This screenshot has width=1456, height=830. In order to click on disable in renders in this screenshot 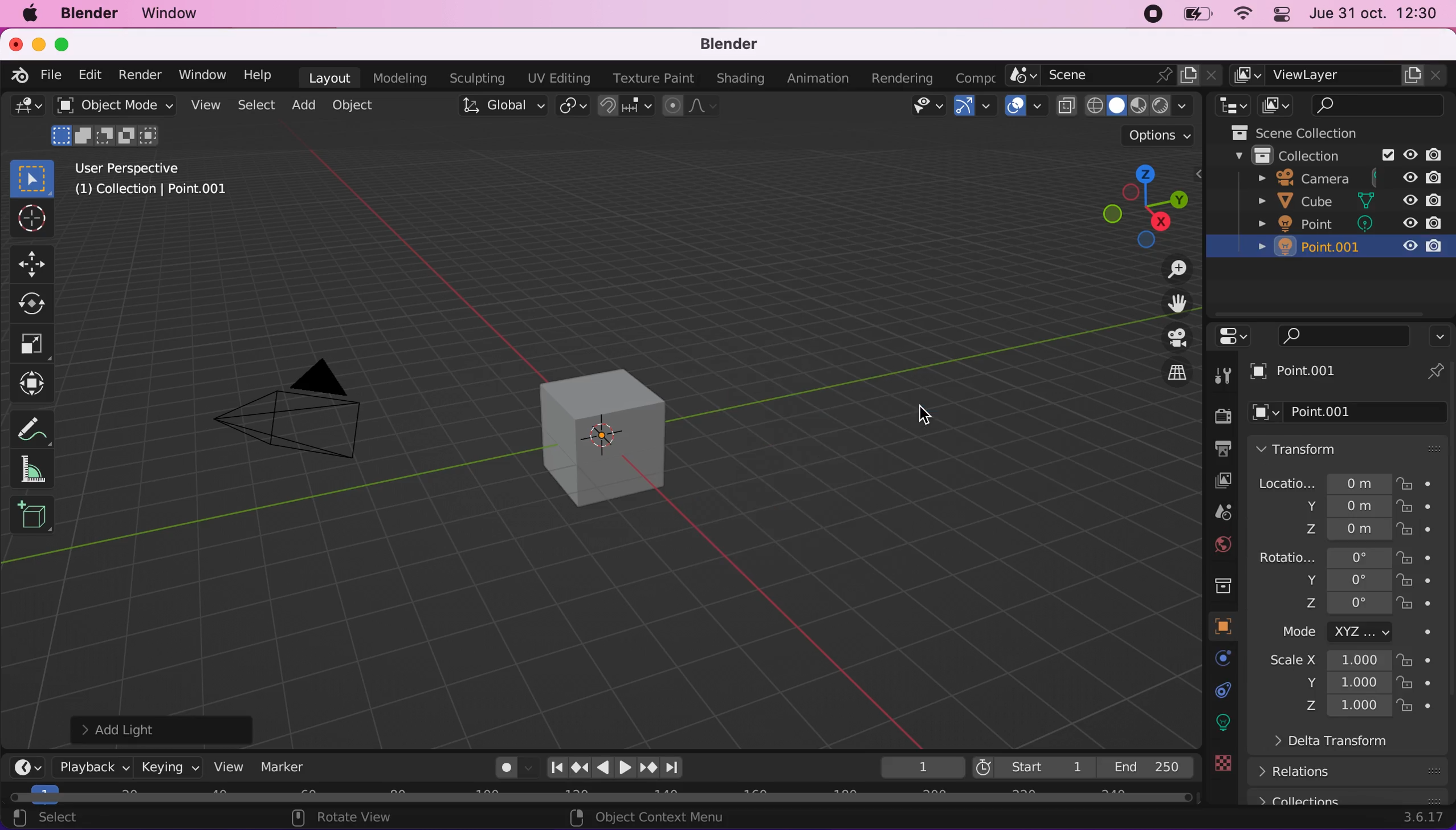, I will do `click(1434, 201)`.